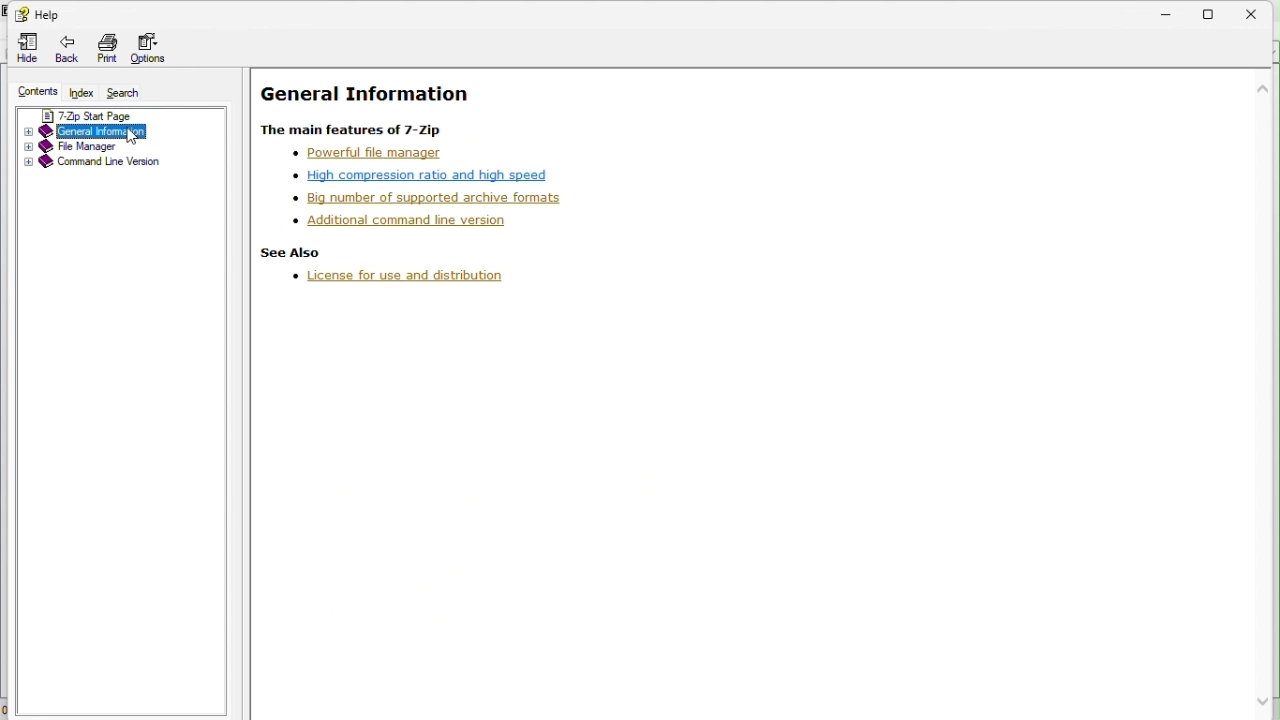  What do you see at coordinates (1263, 15) in the screenshot?
I see `Close` at bounding box center [1263, 15].